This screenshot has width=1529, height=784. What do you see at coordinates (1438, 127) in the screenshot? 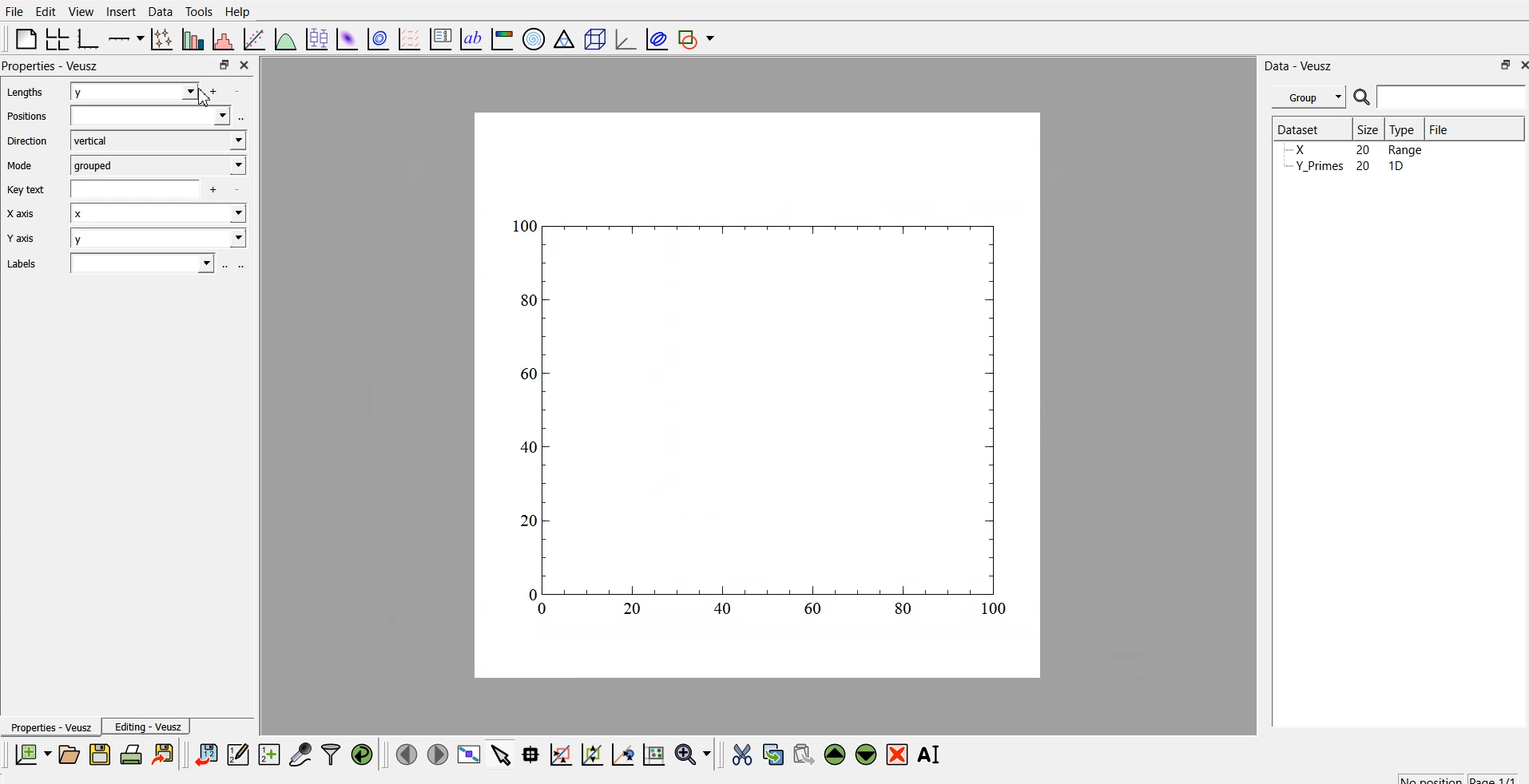
I see `File` at bounding box center [1438, 127].